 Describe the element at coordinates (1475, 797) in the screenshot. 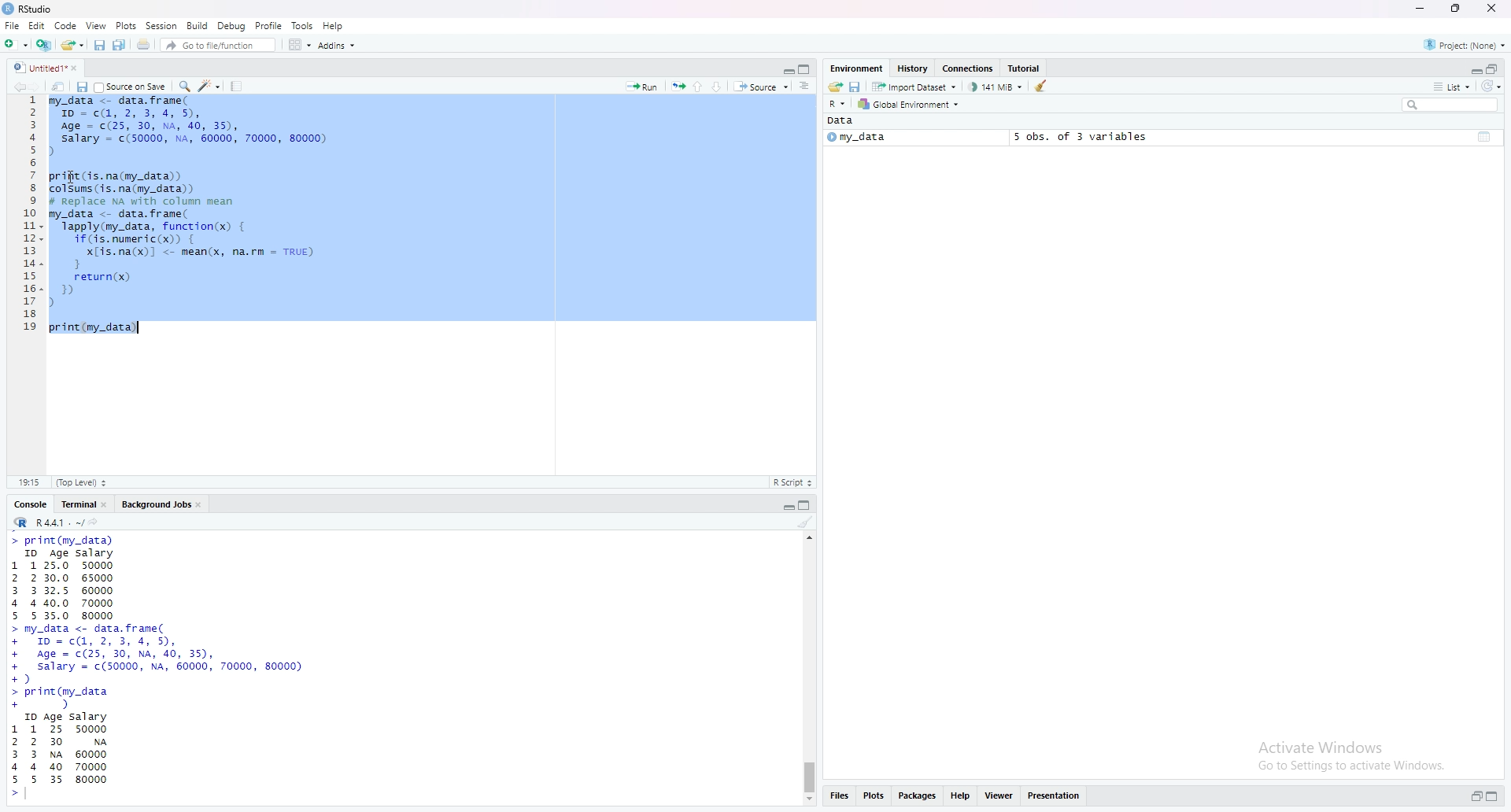

I see `expand` at that location.